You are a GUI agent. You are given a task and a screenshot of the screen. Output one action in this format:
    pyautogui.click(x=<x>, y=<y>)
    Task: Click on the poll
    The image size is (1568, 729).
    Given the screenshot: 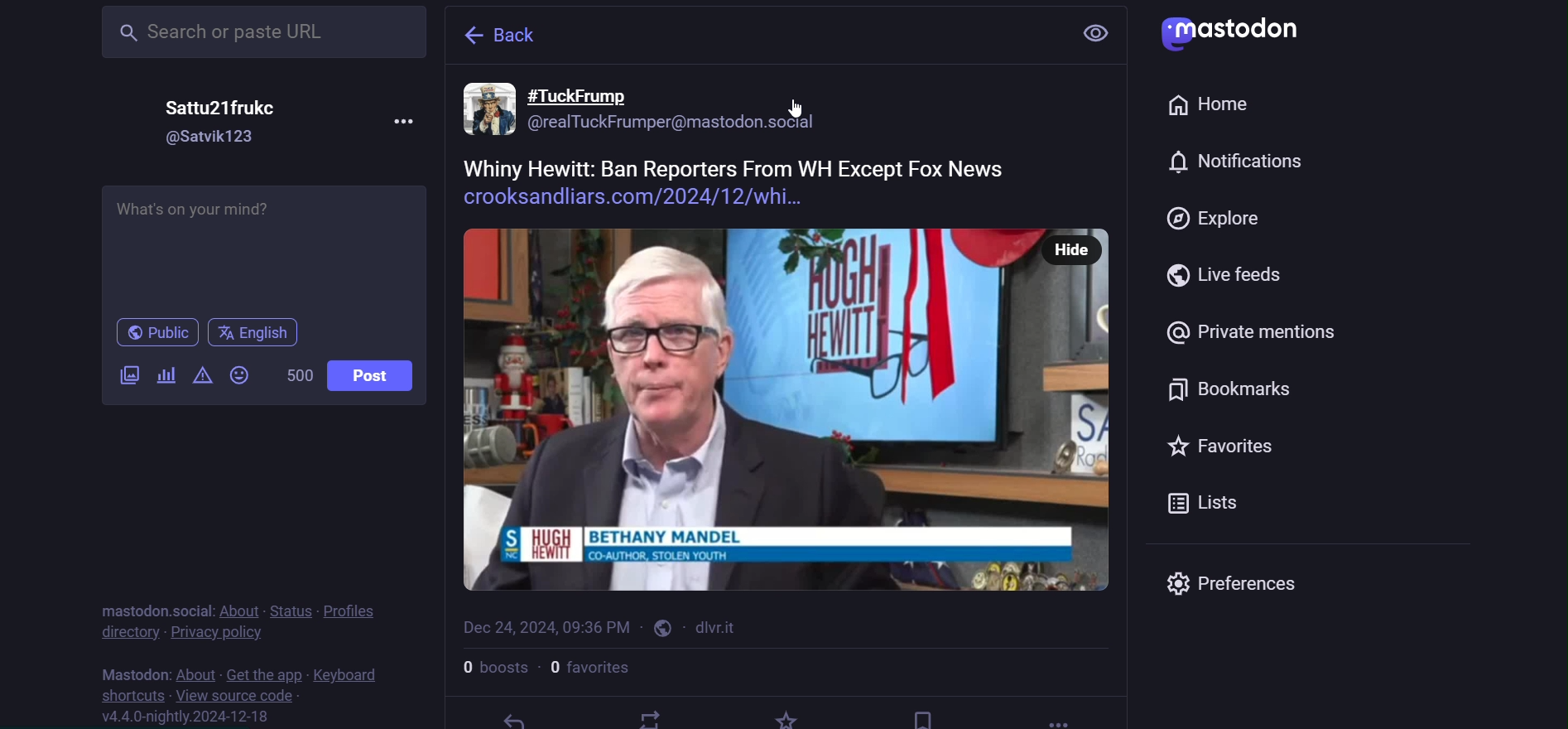 What is the action you would take?
    pyautogui.click(x=166, y=374)
    